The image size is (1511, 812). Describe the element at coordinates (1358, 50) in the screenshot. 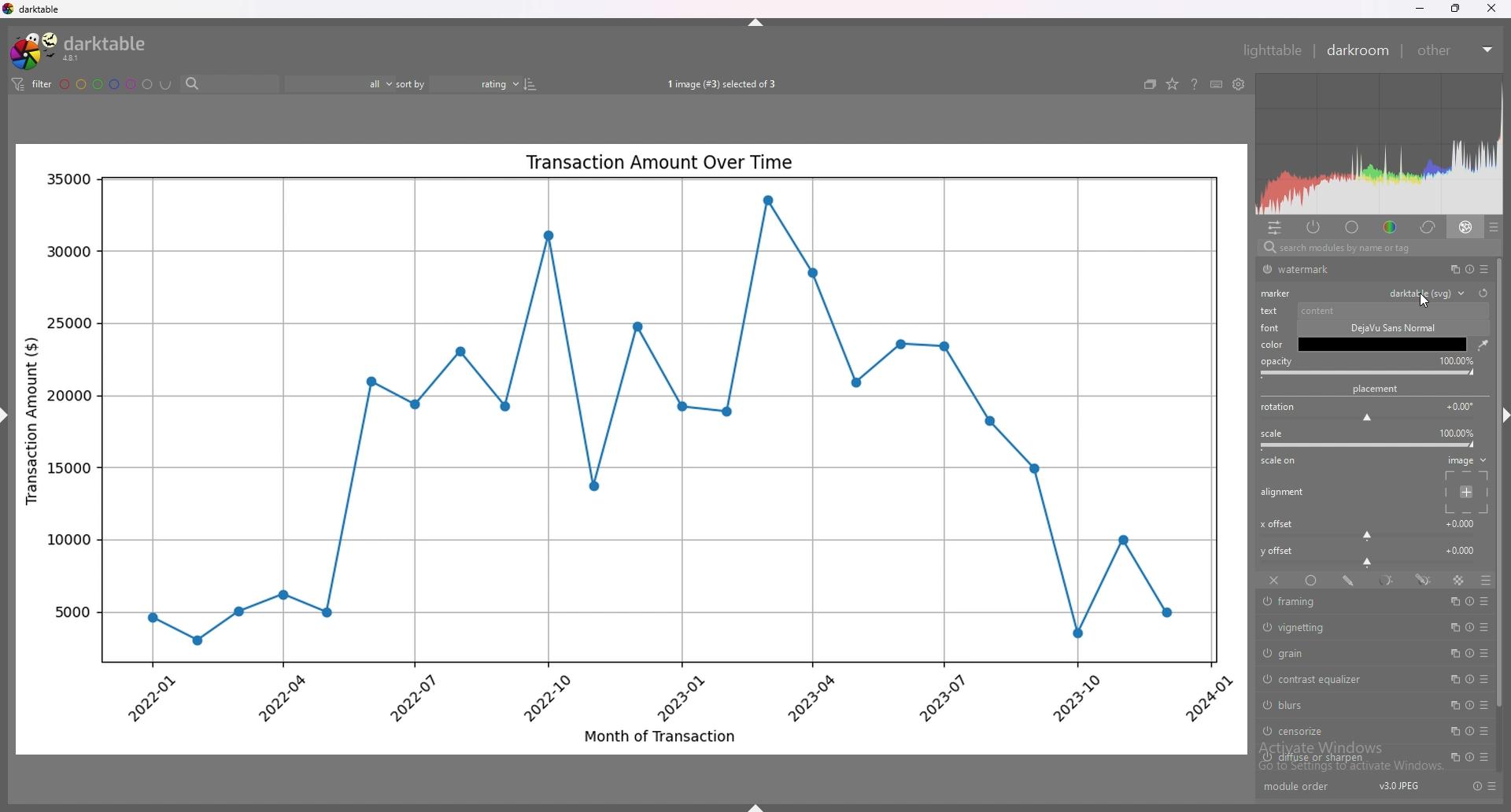

I see `darkroom` at that location.